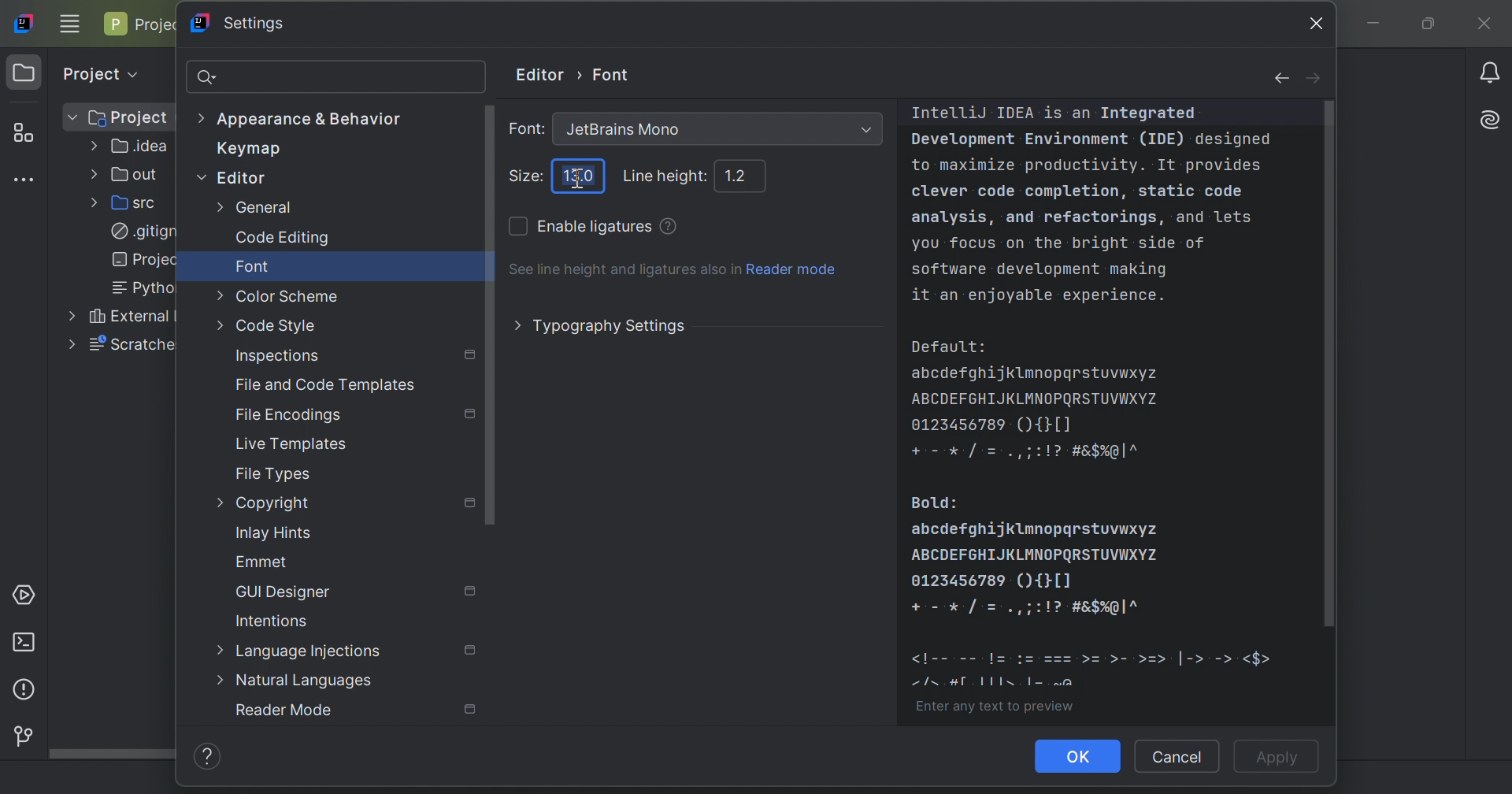 This screenshot has height=794, width=1512. Describe the element at coordinates (302, 120) in the screenshot. I see `Appearance & Behavior` at that location.